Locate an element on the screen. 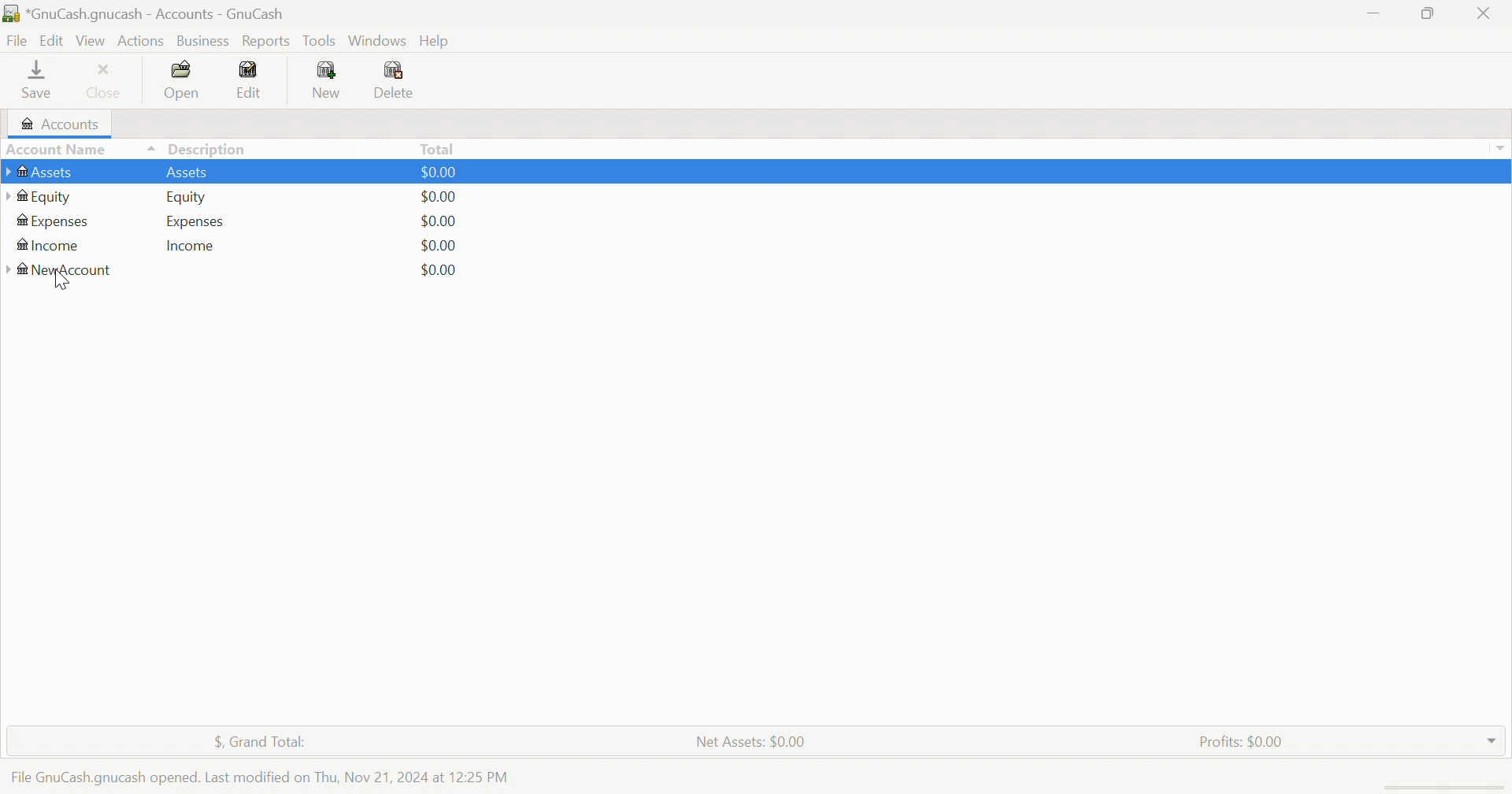 The width and height of the screenshot is (1512, 794). Minimize is located at coordinates (1369, 9).